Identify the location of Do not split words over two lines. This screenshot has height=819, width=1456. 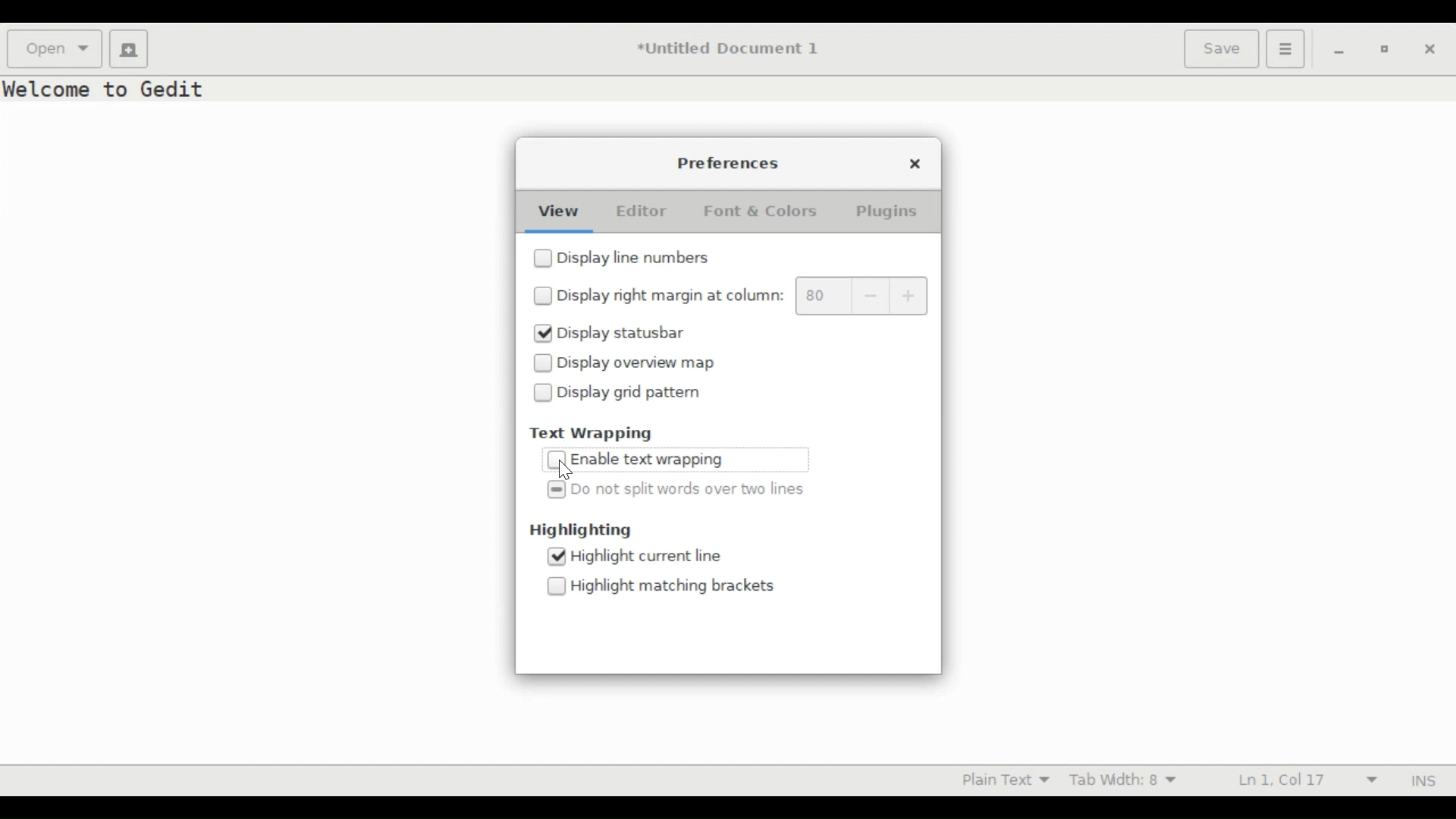
(689, 490).